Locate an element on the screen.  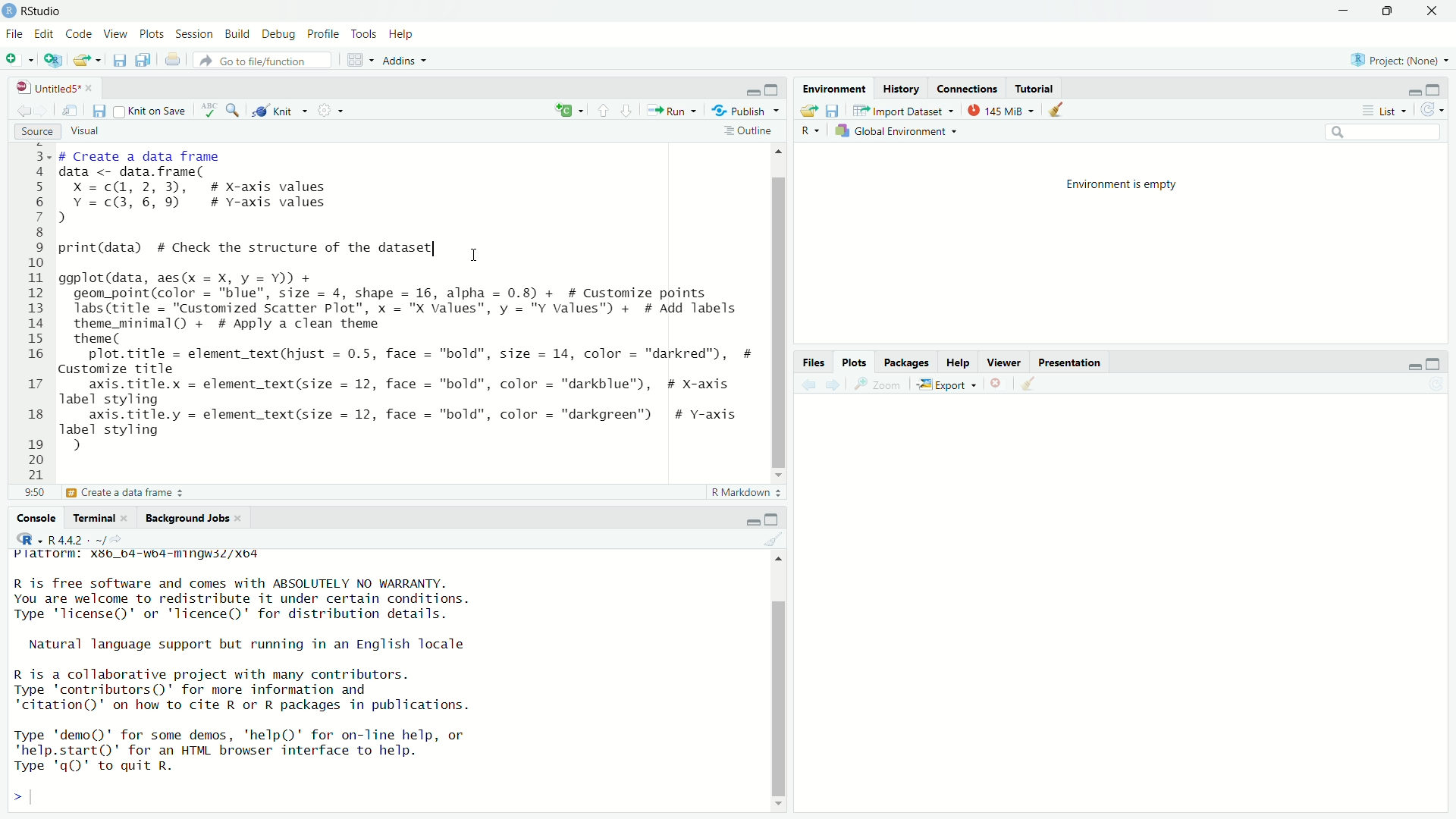
debug is located at coordinates (237, 33).